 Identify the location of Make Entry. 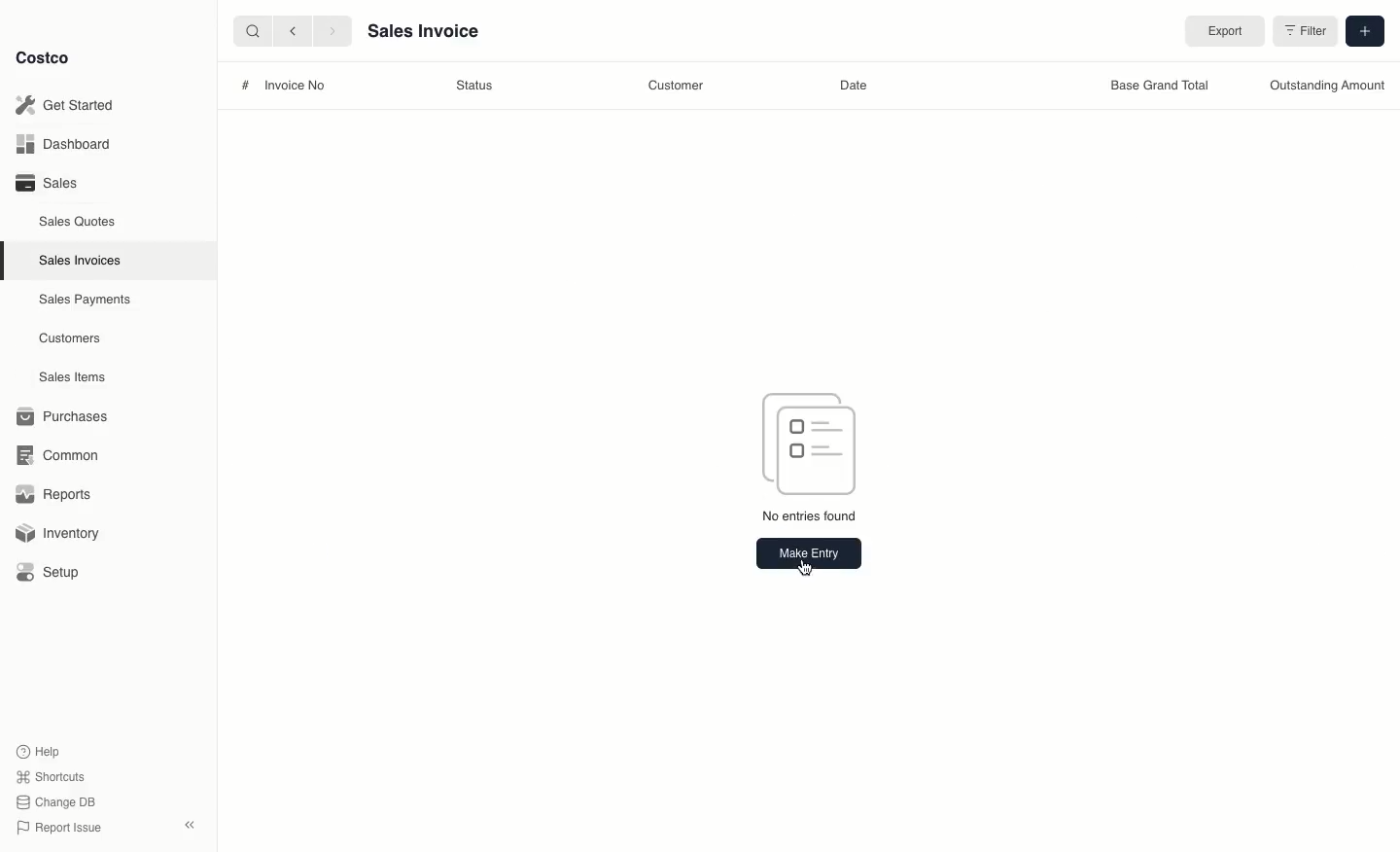
(806, 554).